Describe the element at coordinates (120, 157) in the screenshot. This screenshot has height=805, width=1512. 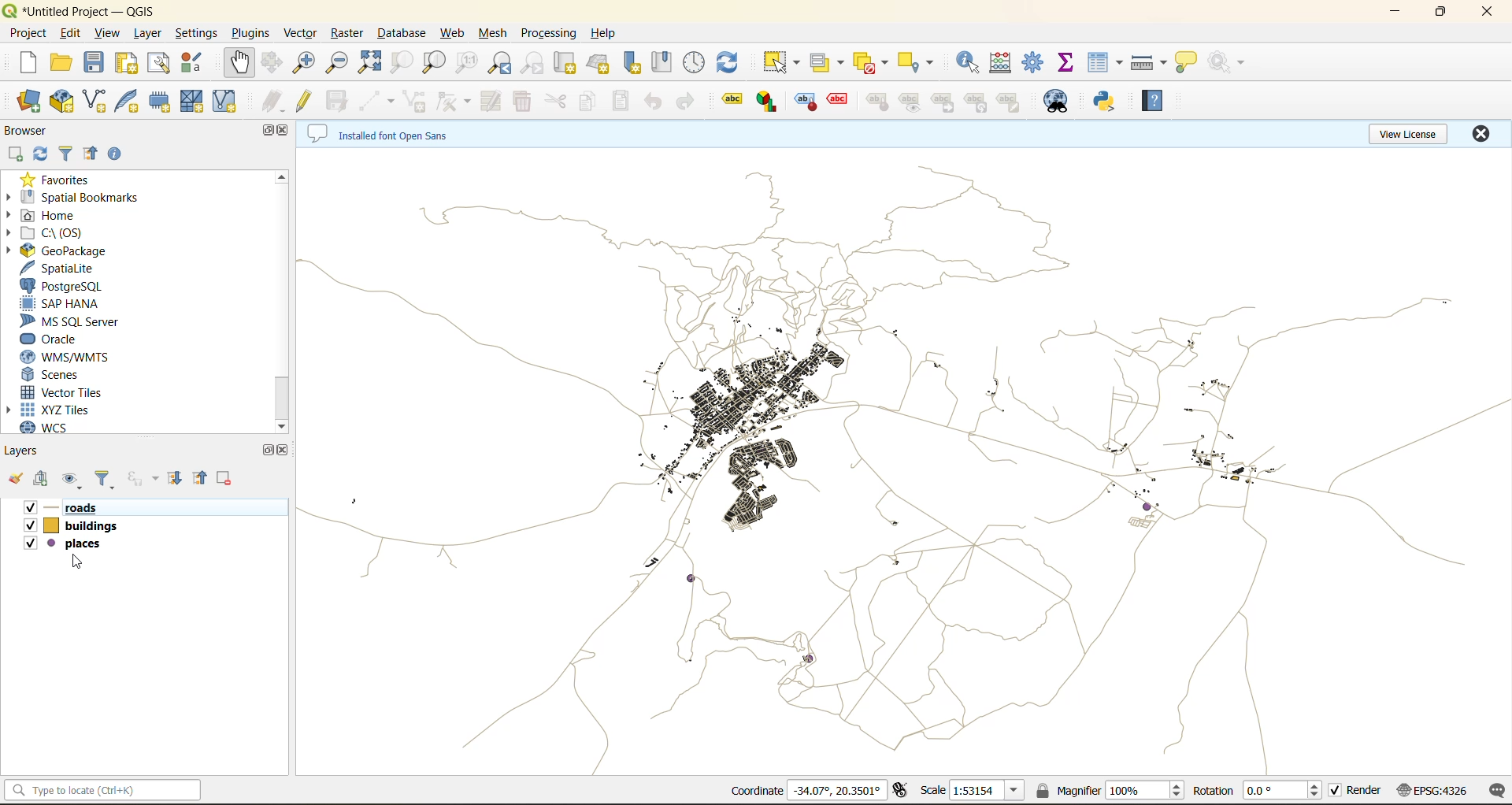
I see `enable properties` at that location.